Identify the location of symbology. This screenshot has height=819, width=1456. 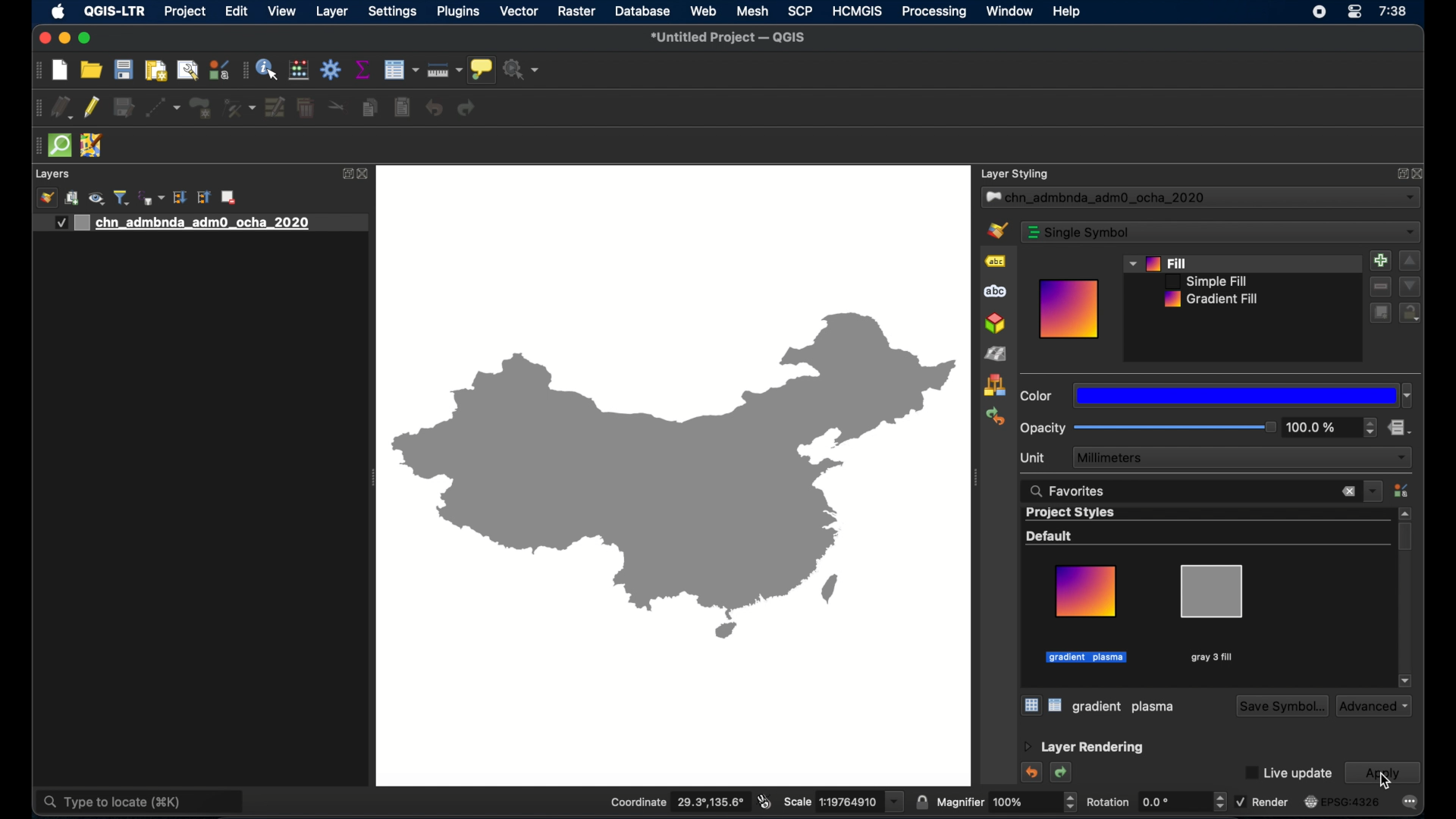
(996, 231).